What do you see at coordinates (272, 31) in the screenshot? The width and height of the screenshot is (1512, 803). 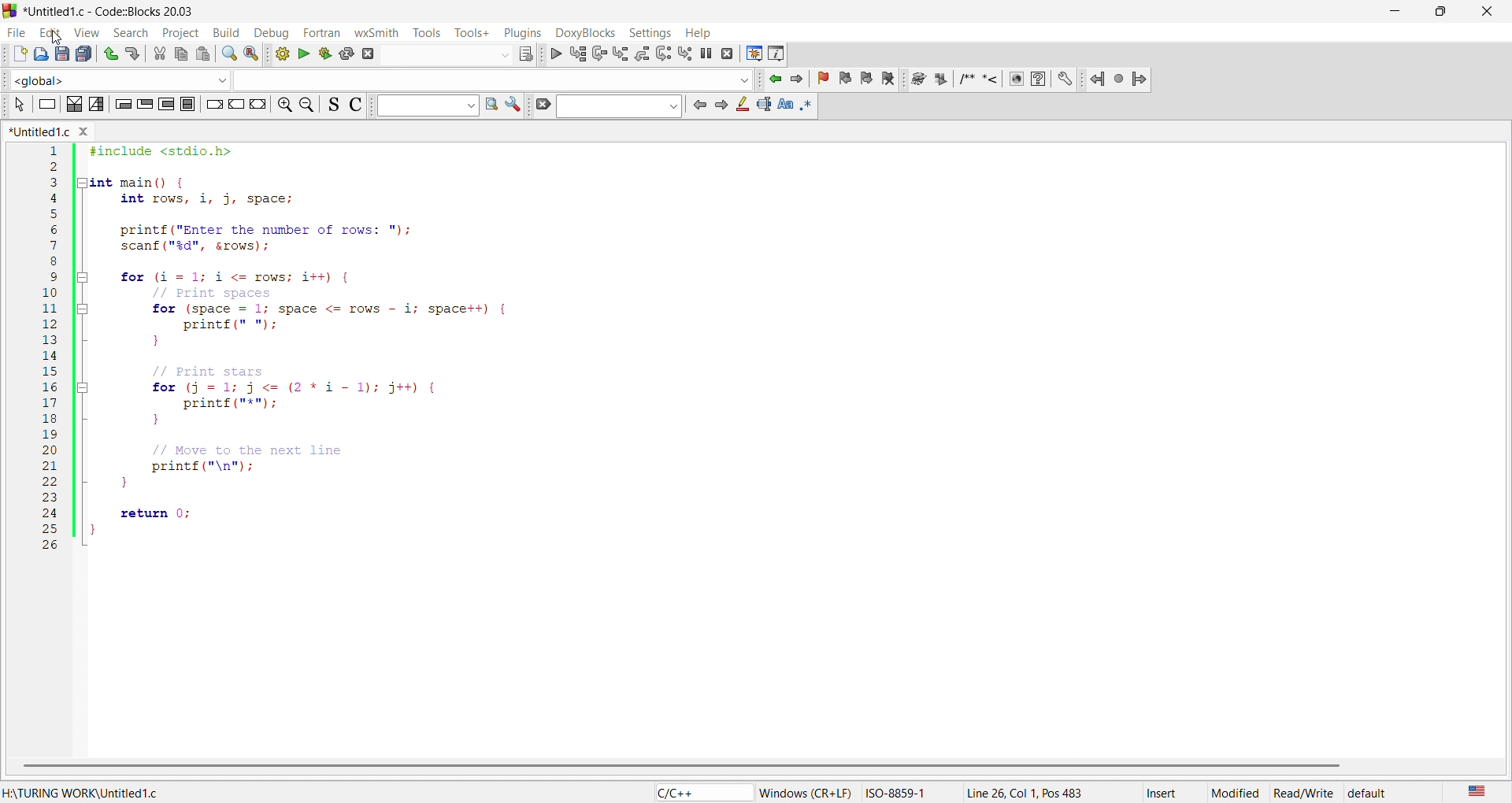 I see `debug` at bounding box center [272, 31].